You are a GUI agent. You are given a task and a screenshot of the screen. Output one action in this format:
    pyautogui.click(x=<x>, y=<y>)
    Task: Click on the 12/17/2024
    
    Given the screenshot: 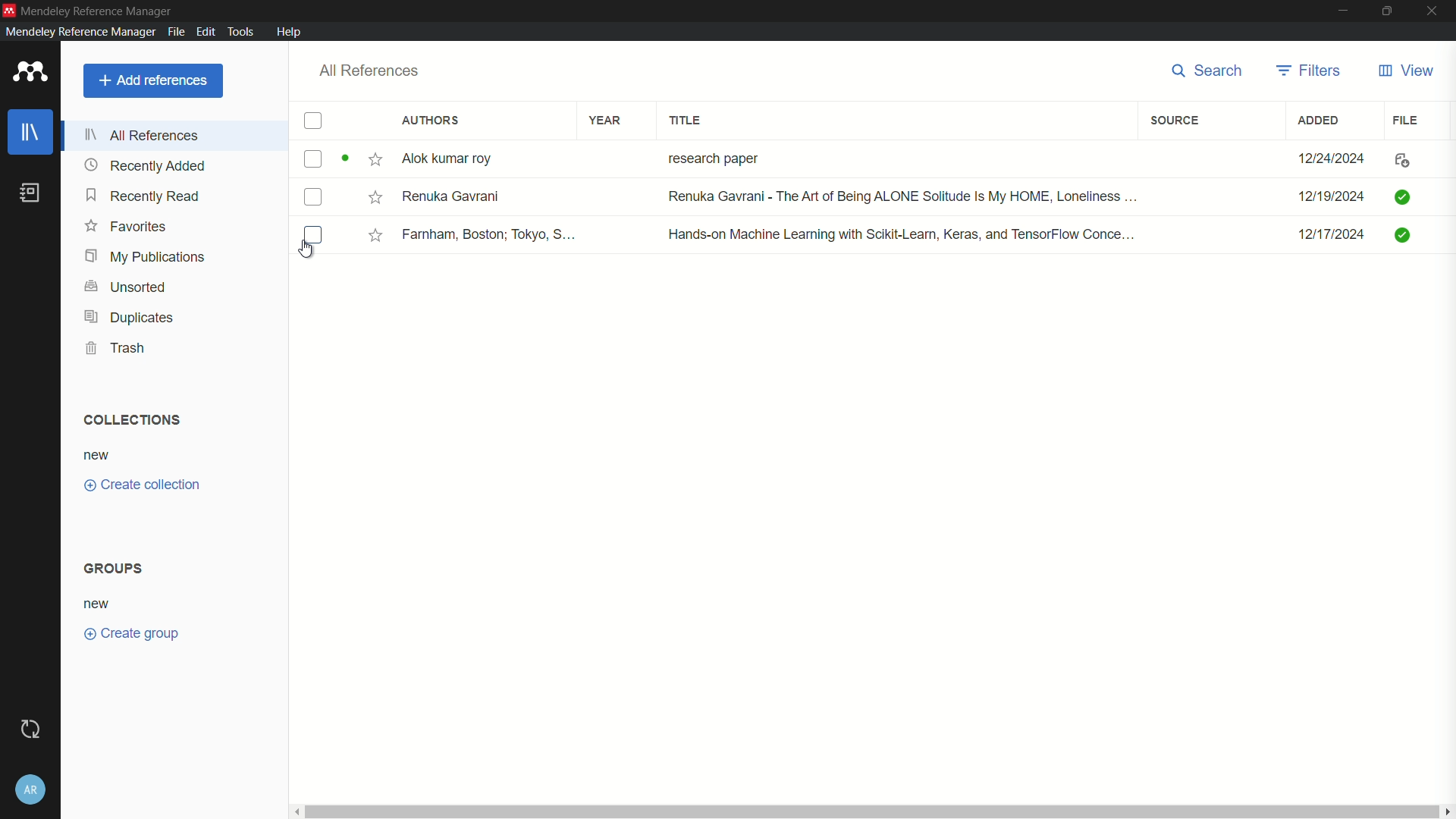 What is the action you would take?
    pyautogui.click(x=1323, y=235)
    